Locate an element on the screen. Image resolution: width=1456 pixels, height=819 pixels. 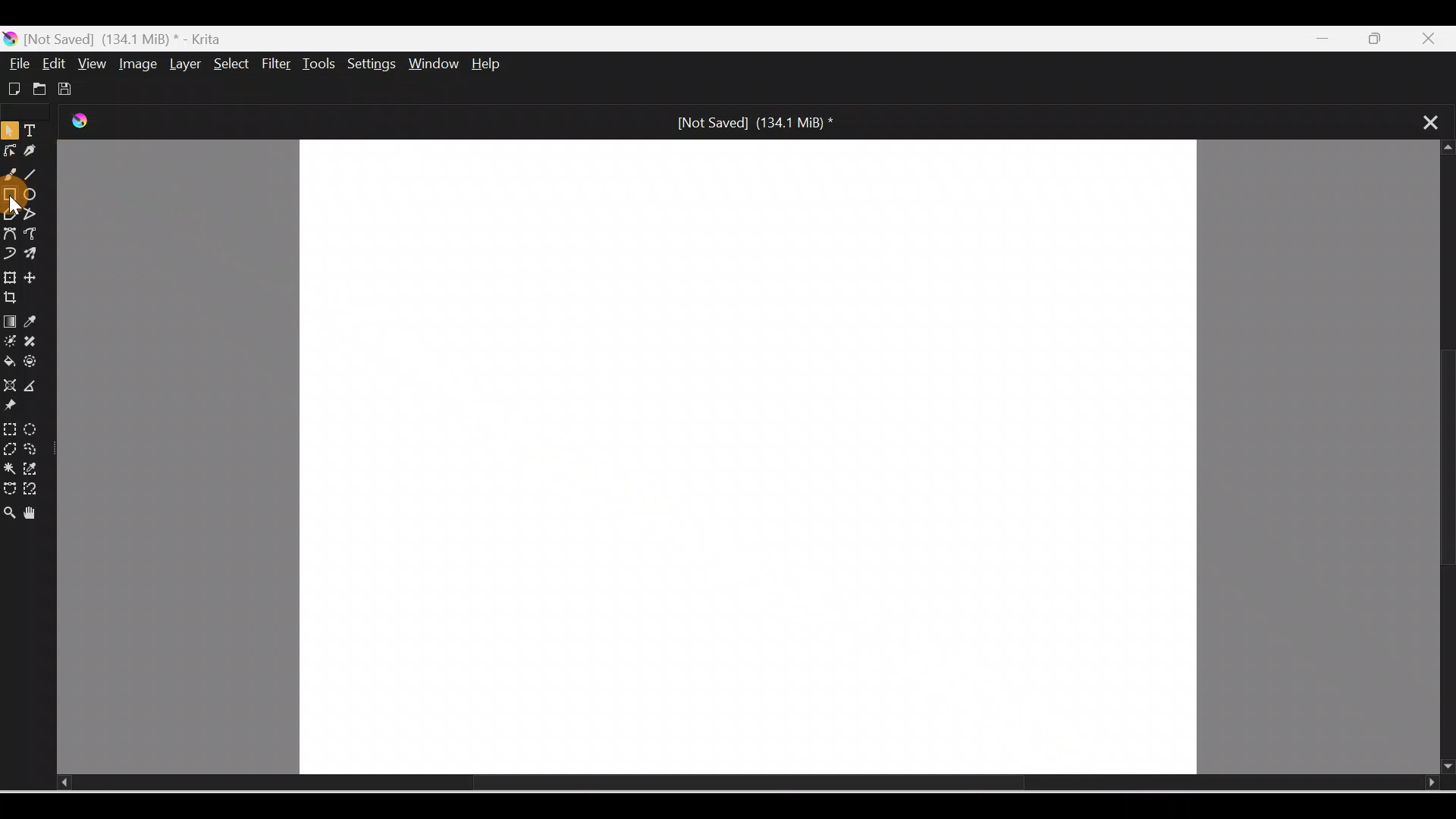
Window is located at coordinates (436, 65).